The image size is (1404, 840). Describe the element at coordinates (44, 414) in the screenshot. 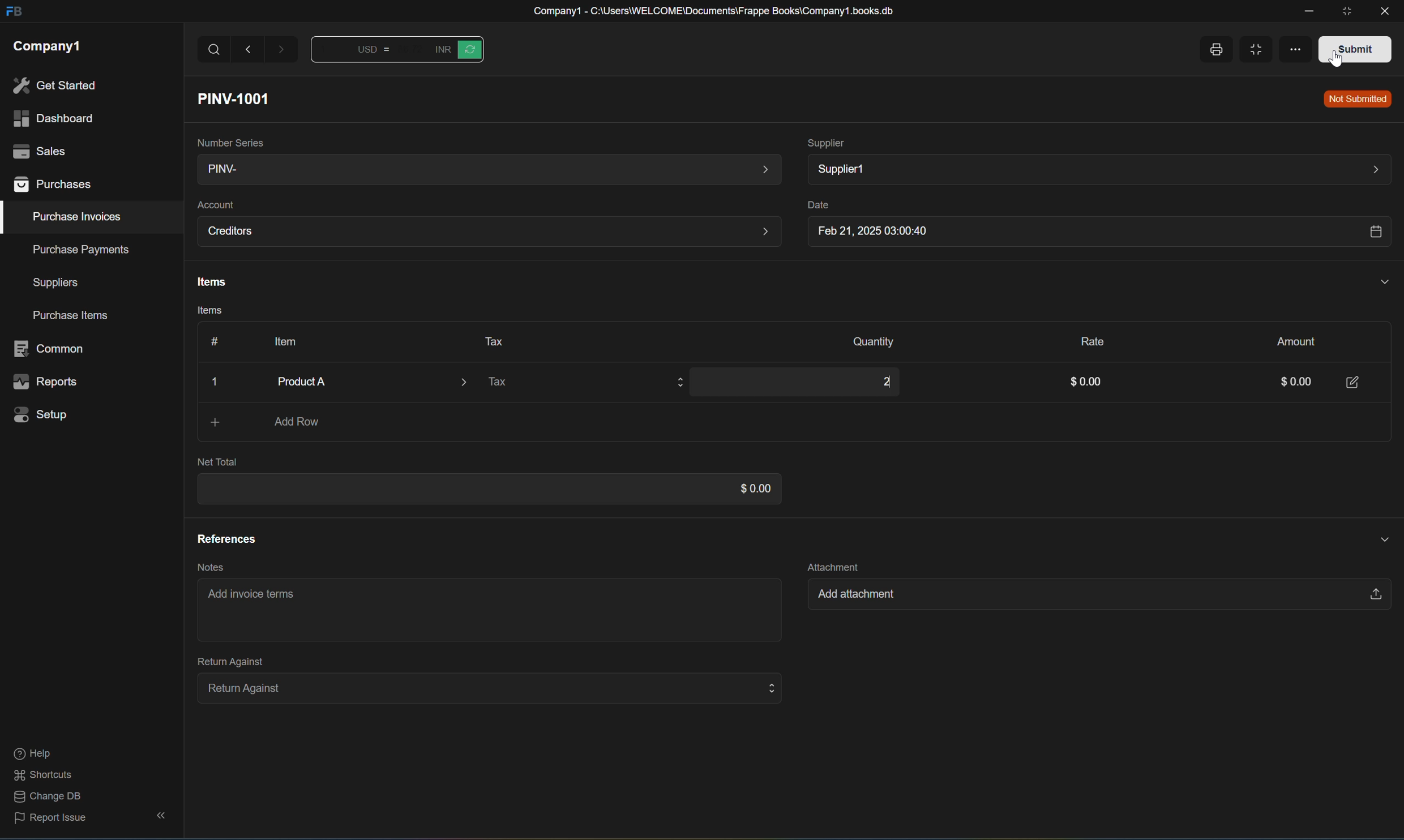

I see `setup` at that location.